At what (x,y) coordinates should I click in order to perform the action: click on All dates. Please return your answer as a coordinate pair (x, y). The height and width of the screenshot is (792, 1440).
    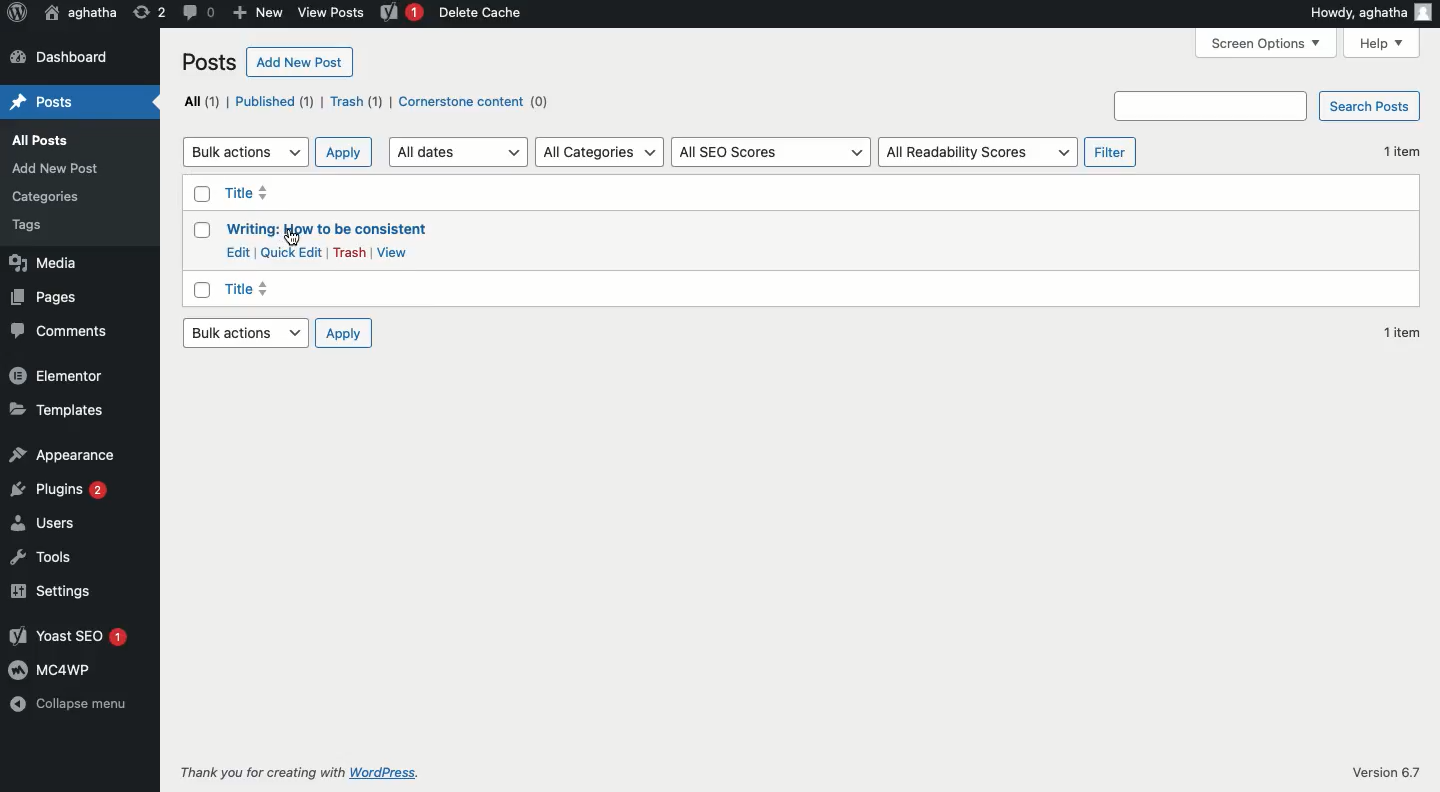
    Looking at the image, I should click on (460, 152).